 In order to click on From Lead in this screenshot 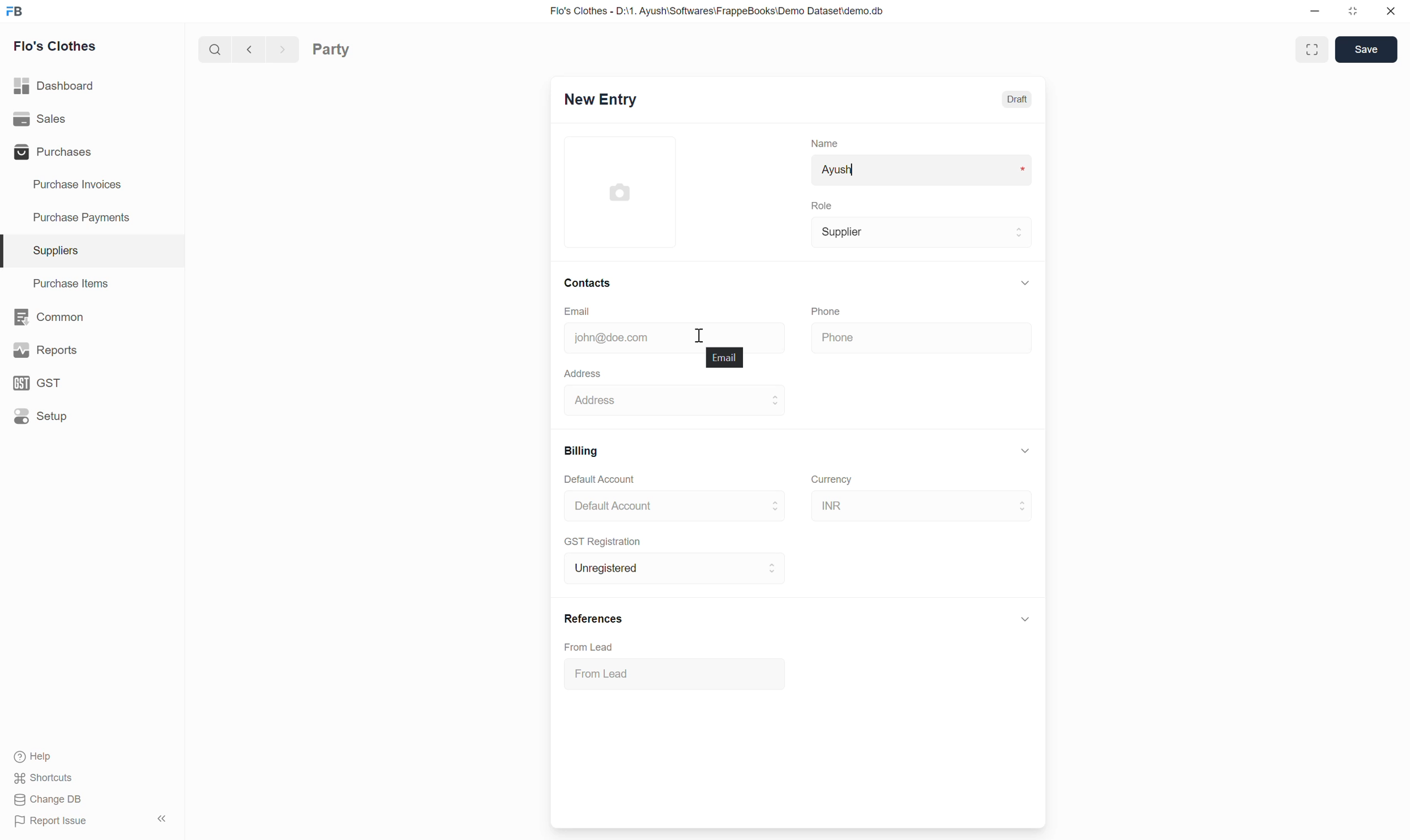, I will do `click(676, 674)`.